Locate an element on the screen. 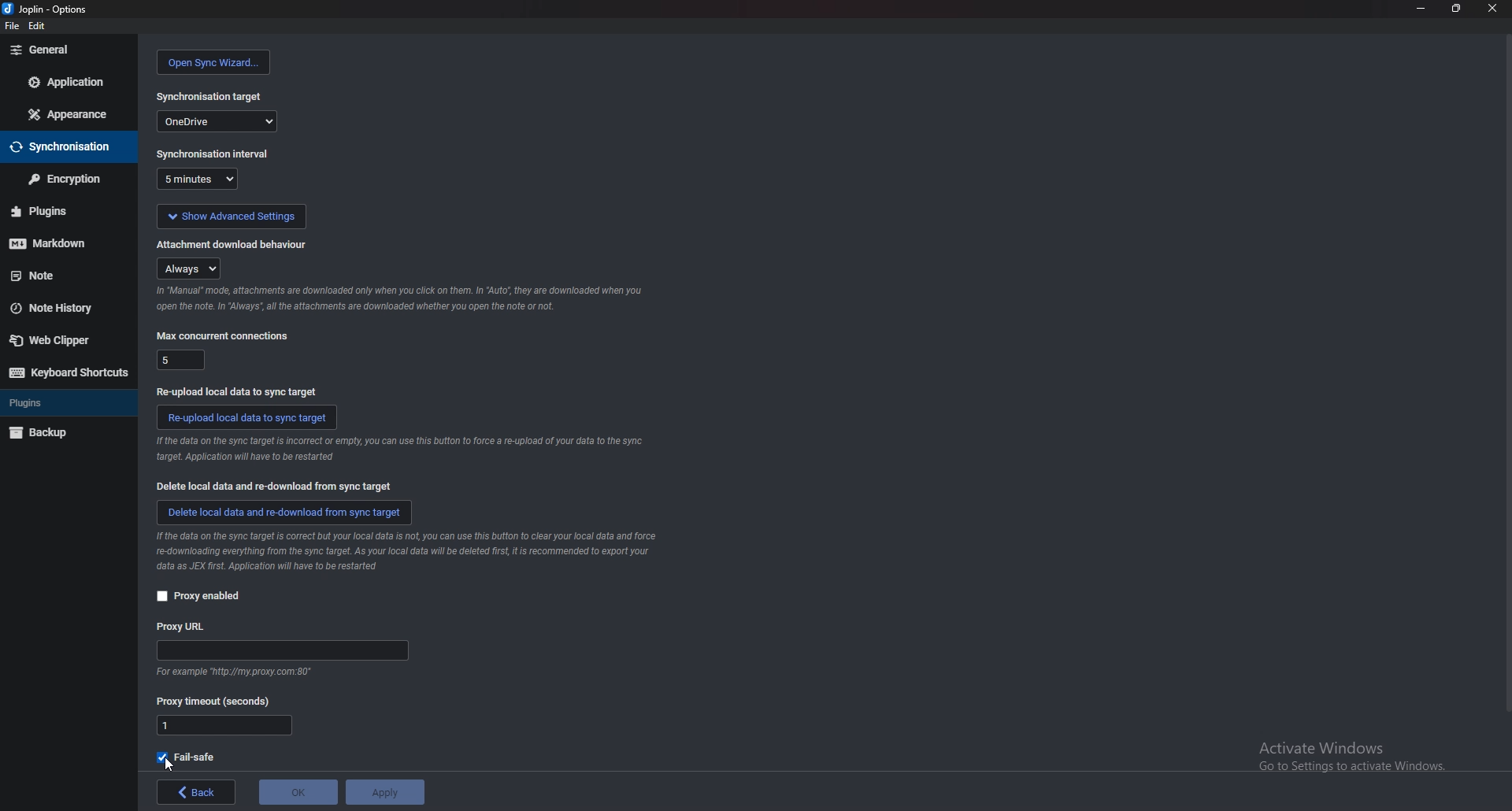 The image size is (1512, 811). scroll bar is located at coordinates (1506, 378).